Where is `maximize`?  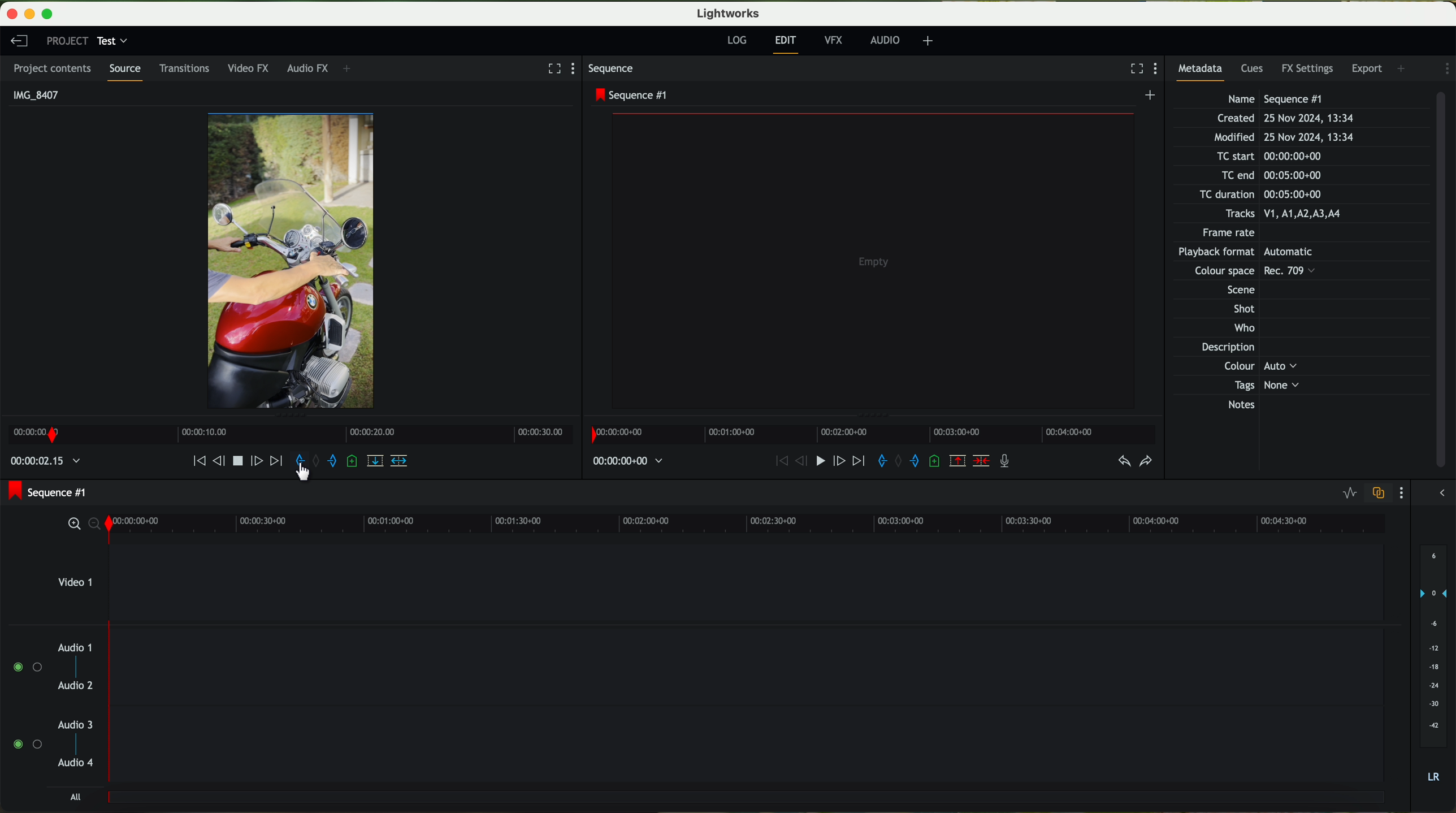
maximize is located at coordinates (54, 12).